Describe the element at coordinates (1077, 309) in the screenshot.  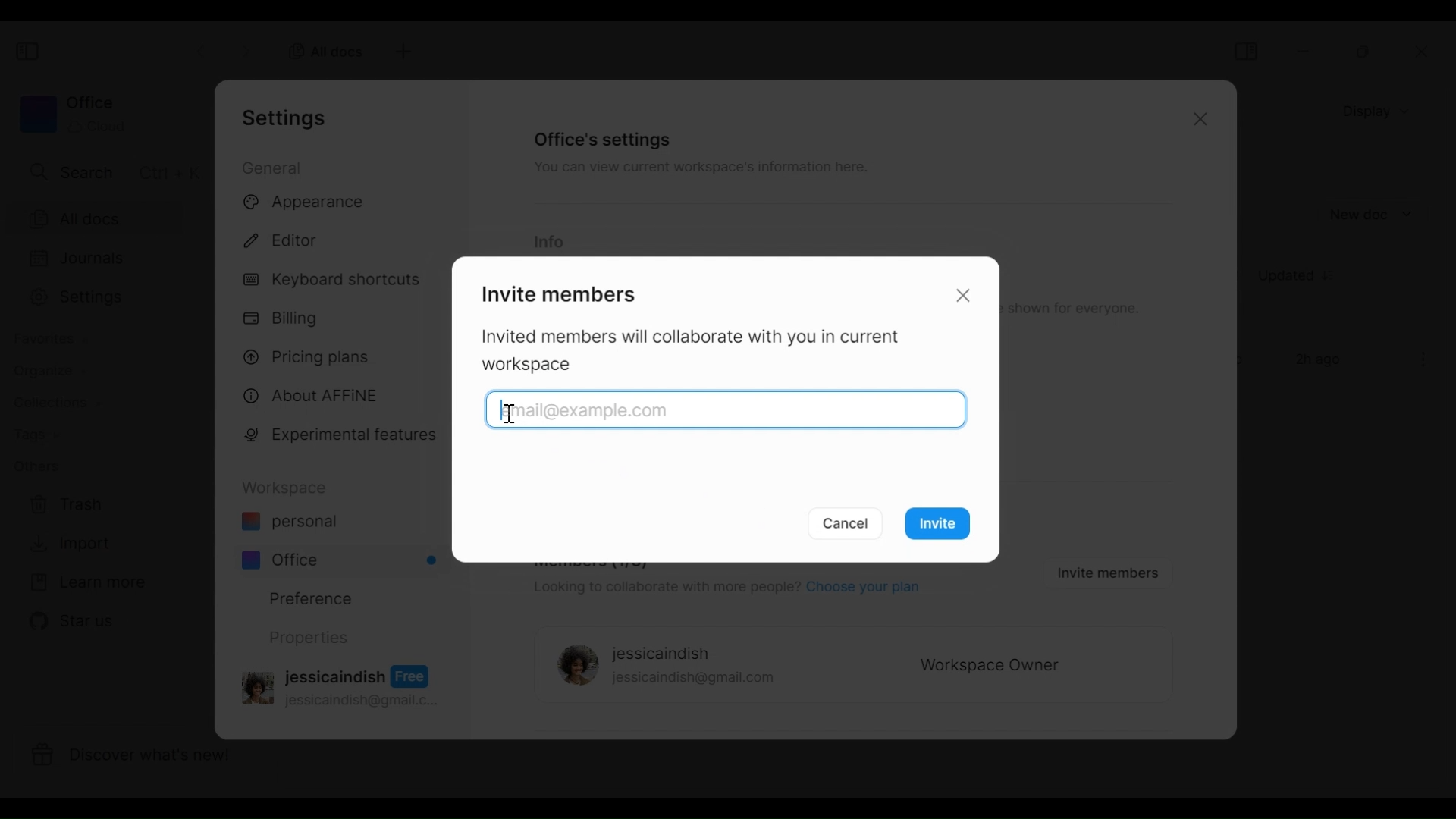
I see `Only an owner can edit the workspace avatar and name. Changes will be shown for everyone.` at that location.